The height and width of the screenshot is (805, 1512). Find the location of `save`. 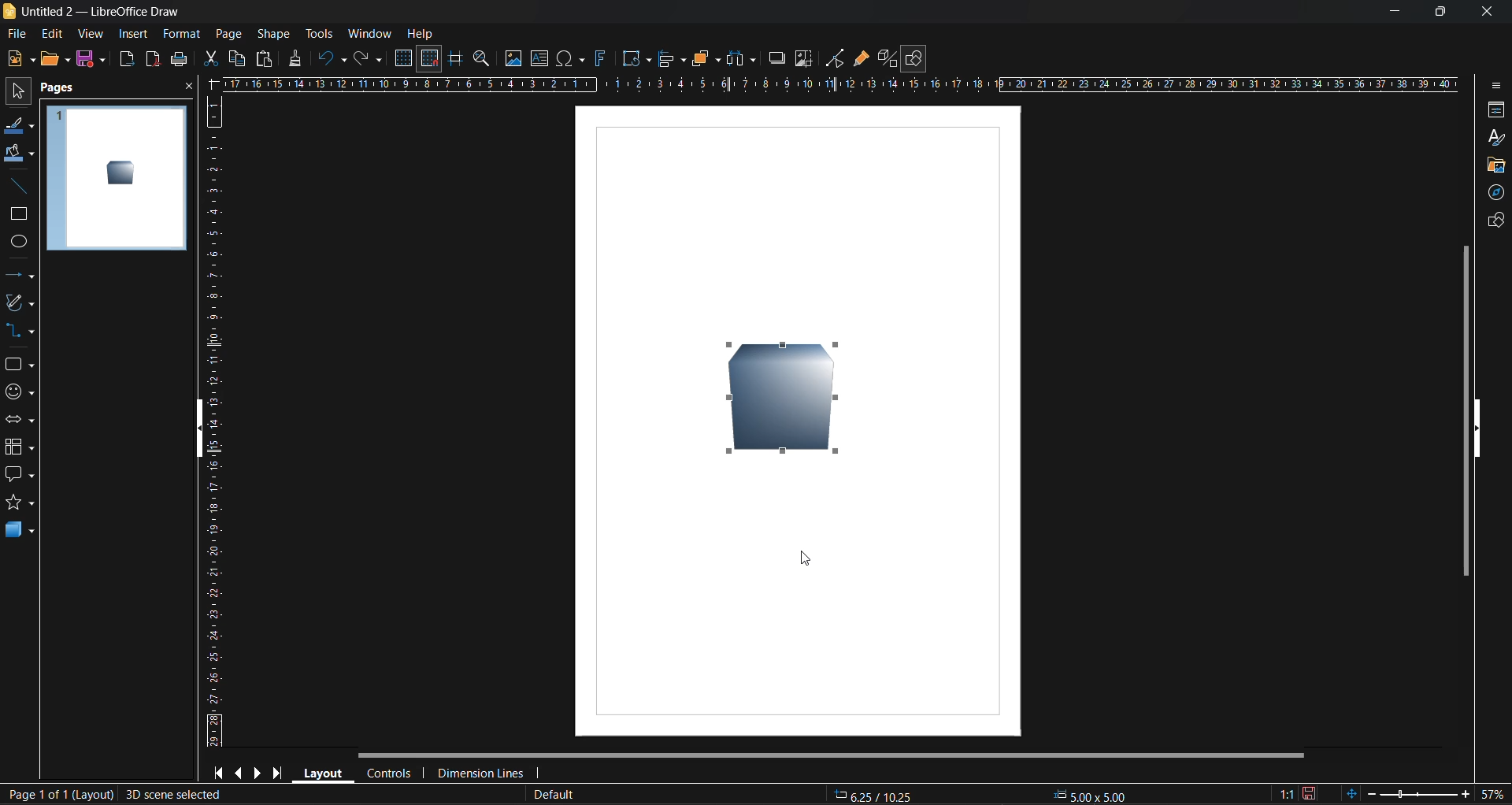

save is located at coordinates (94, 60).